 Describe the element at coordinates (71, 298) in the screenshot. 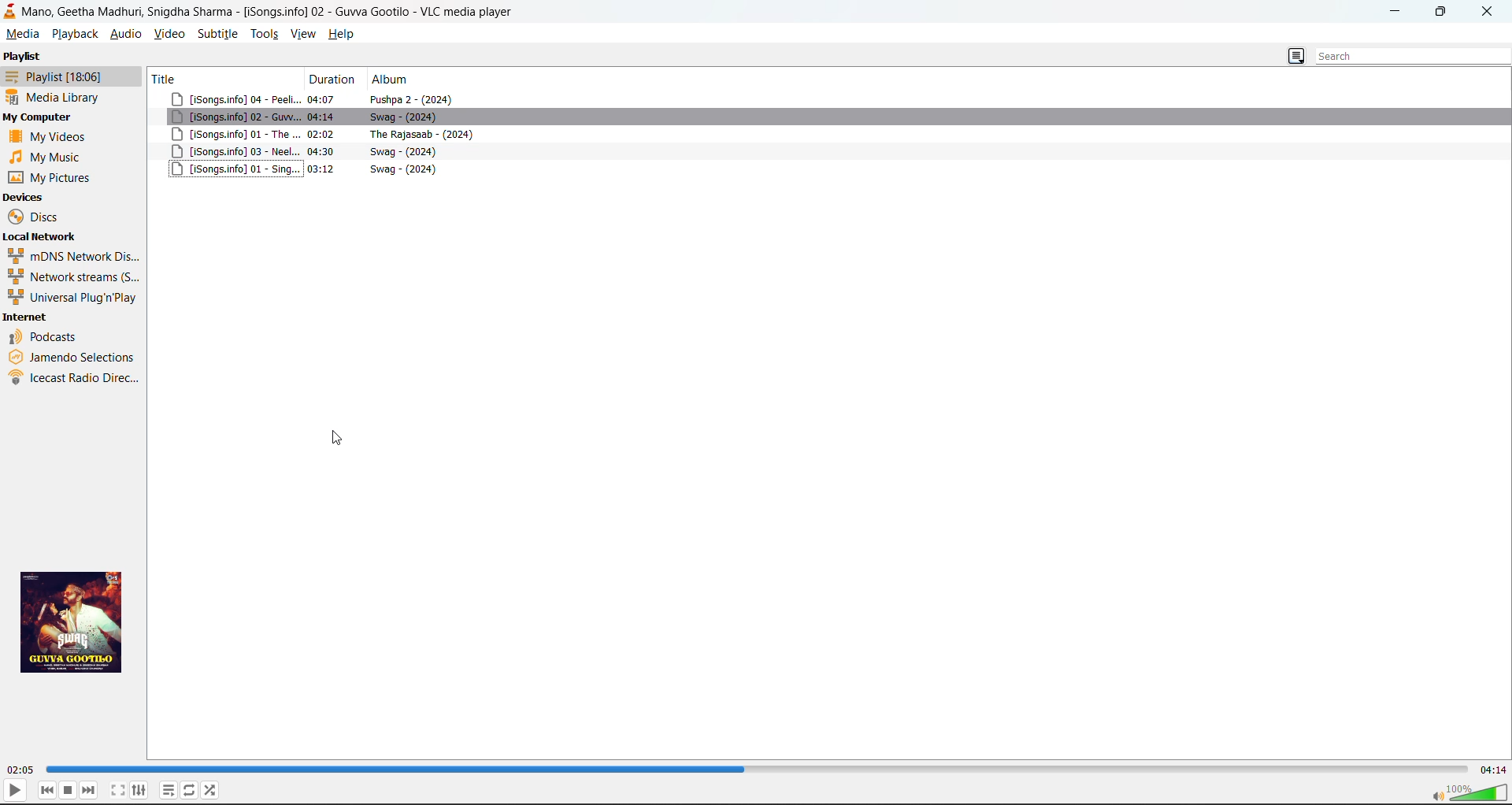

I see `universal plug n play` at that location.